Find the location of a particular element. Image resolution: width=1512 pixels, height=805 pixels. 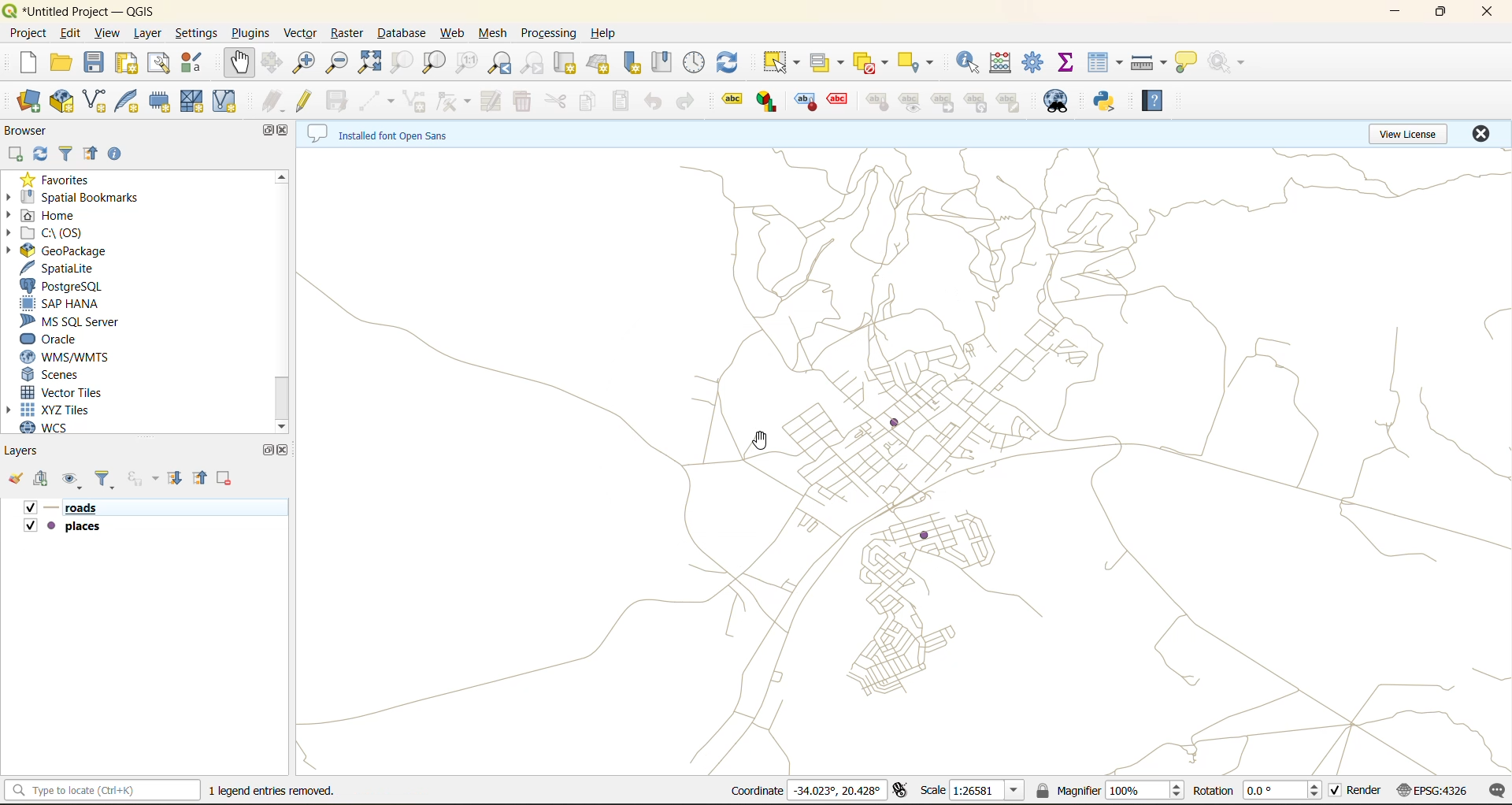

close is located at coordinates (1484, 12).